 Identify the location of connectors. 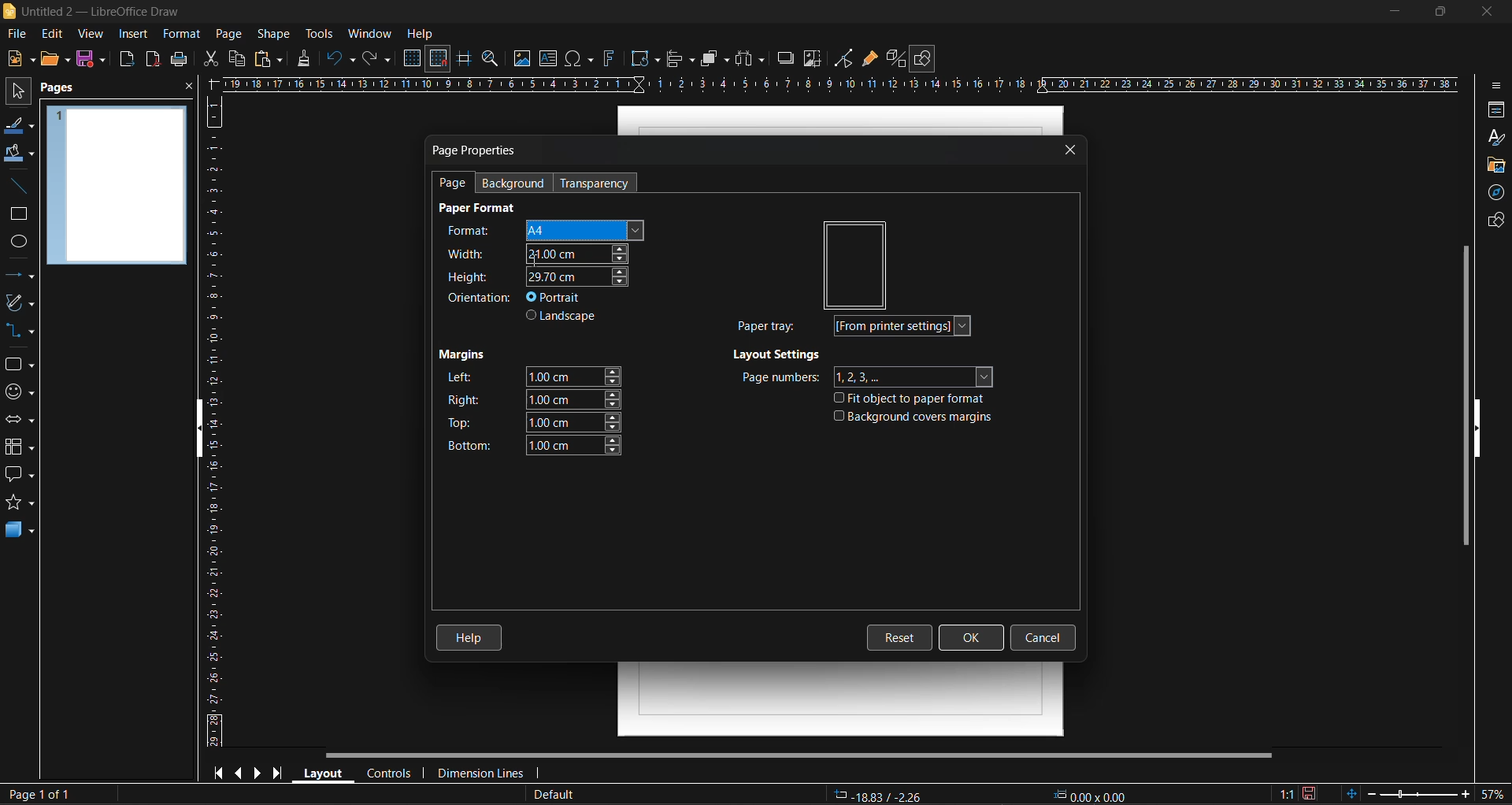
(23, 332).